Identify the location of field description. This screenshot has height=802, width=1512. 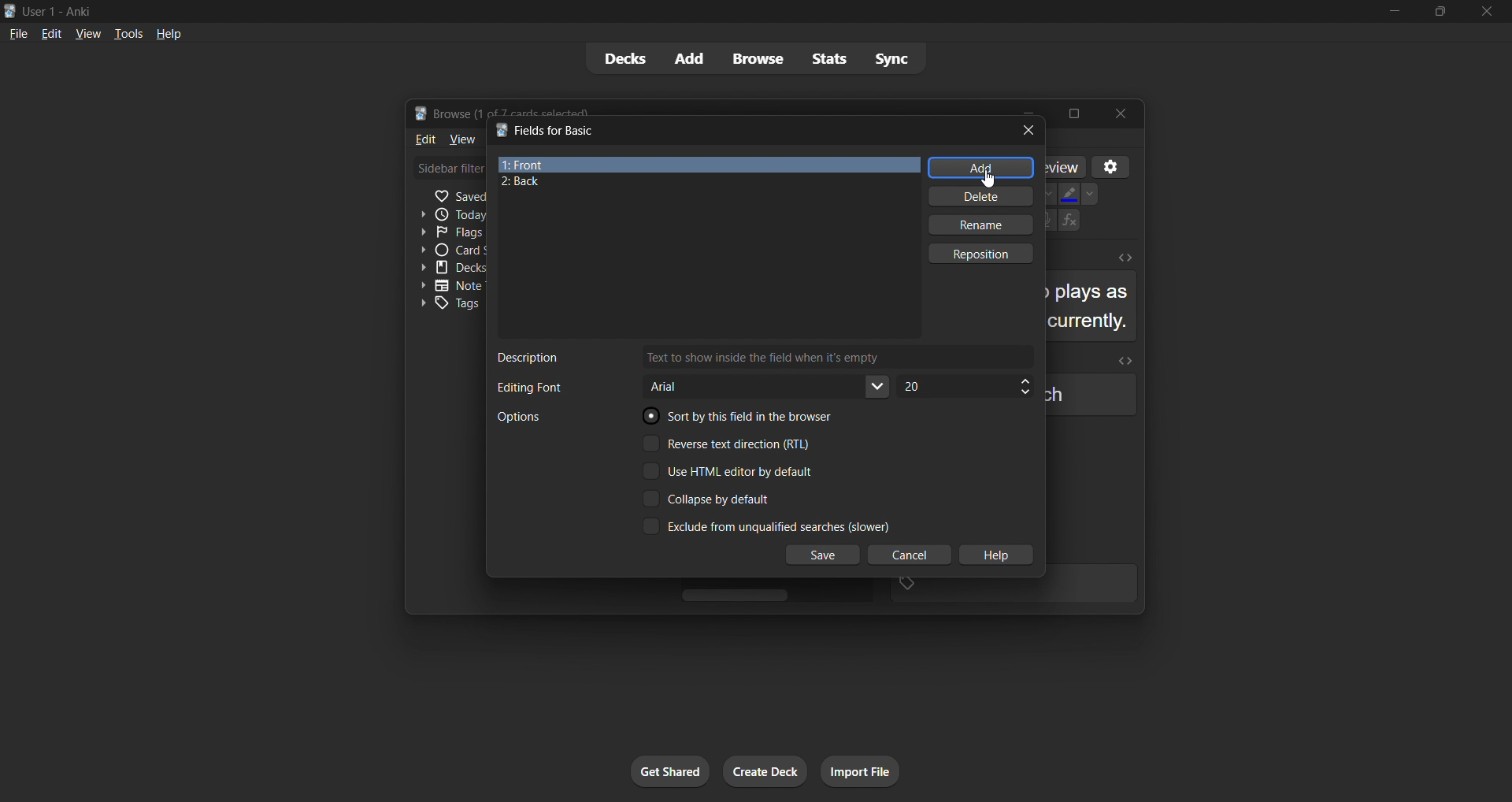
(758, 357).